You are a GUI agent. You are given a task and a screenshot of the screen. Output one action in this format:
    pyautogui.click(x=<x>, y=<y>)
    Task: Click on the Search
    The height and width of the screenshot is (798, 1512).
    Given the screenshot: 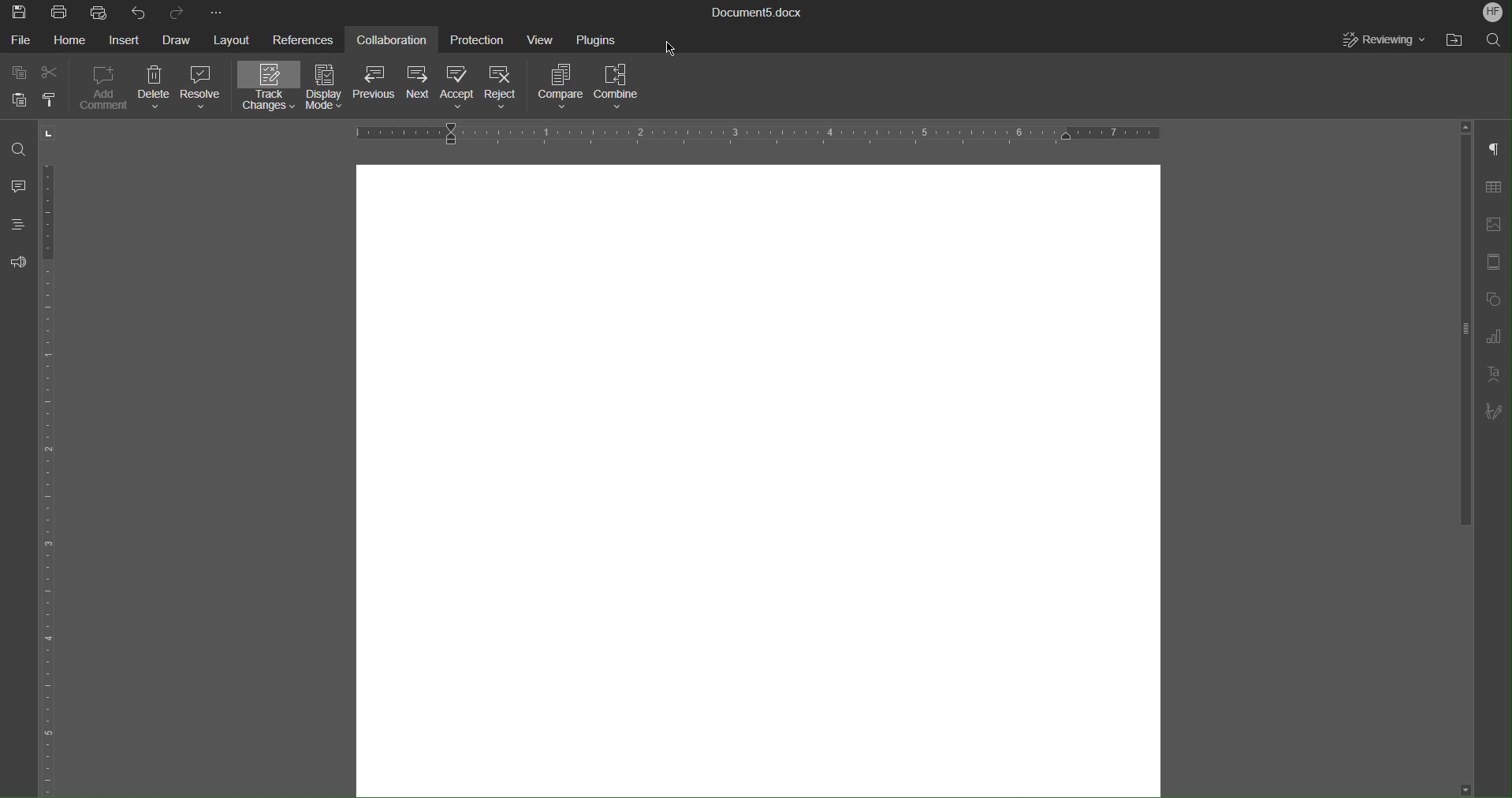 What is the action you would take?
    pyautogui.click(x=1492, y=40)
    